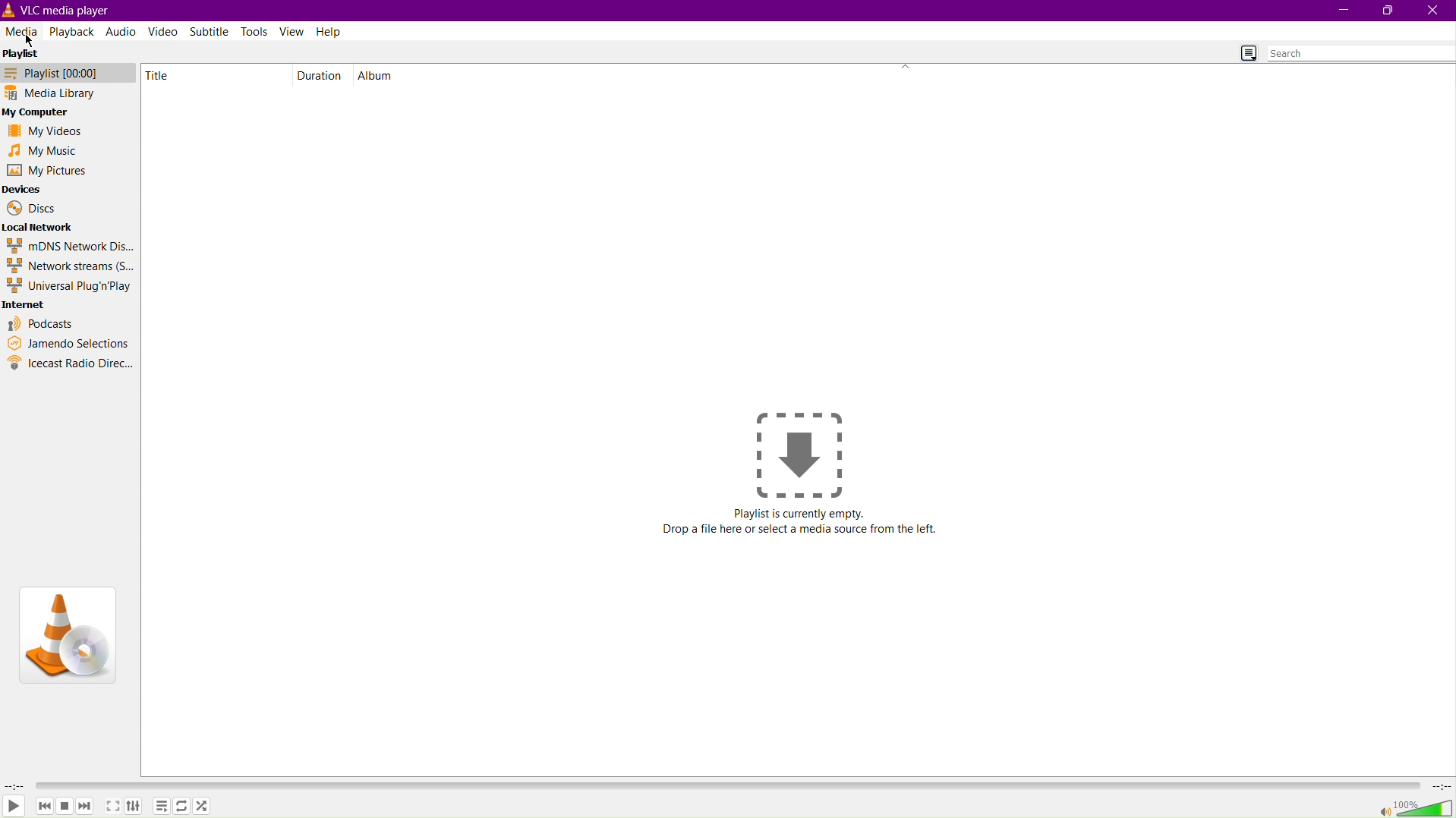 The height and width of the screenshot is (818, 1456). I want to click on Local Network, so click(42, 228).